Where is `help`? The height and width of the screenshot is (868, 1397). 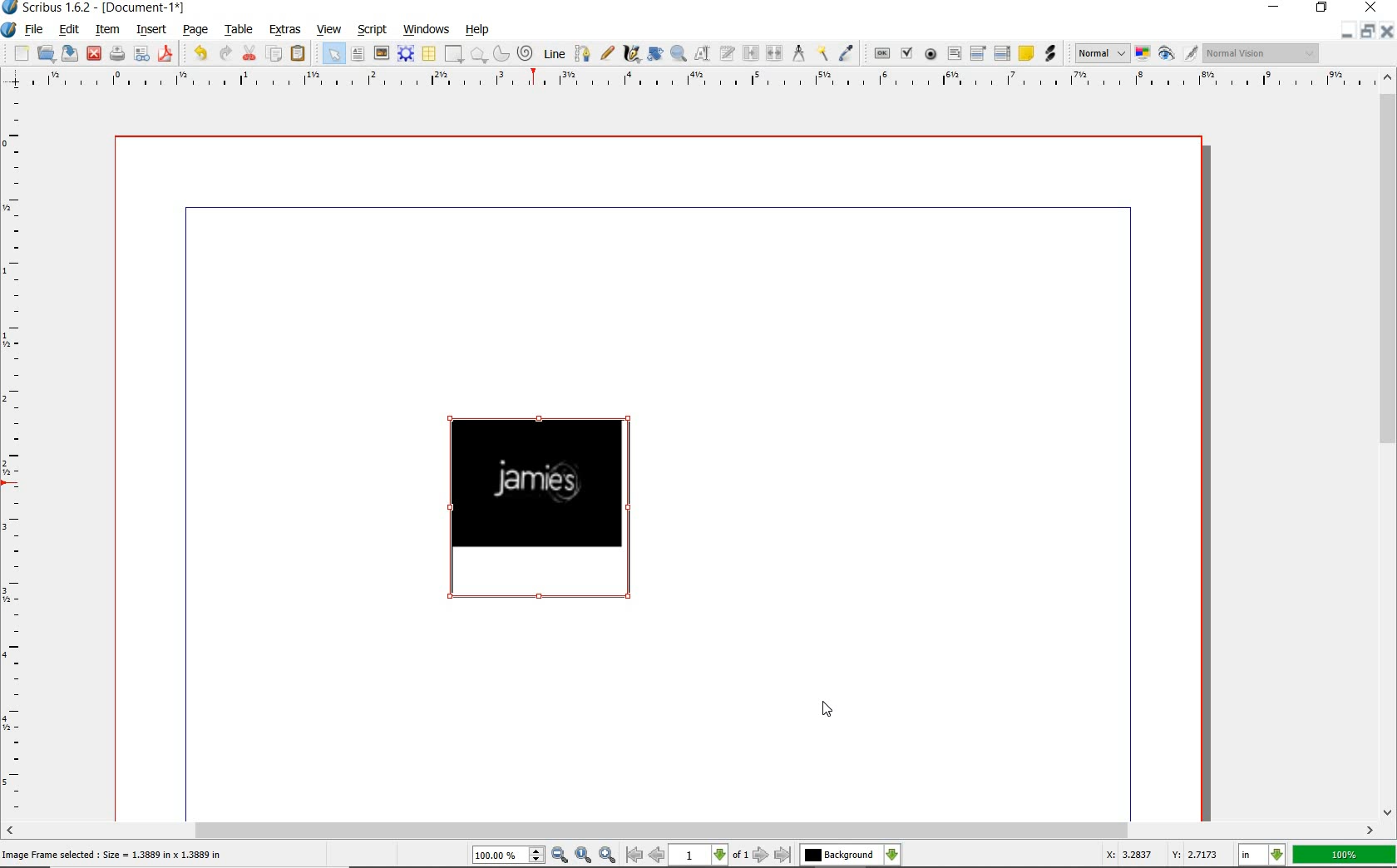
help is located at coordinates (480, 30).